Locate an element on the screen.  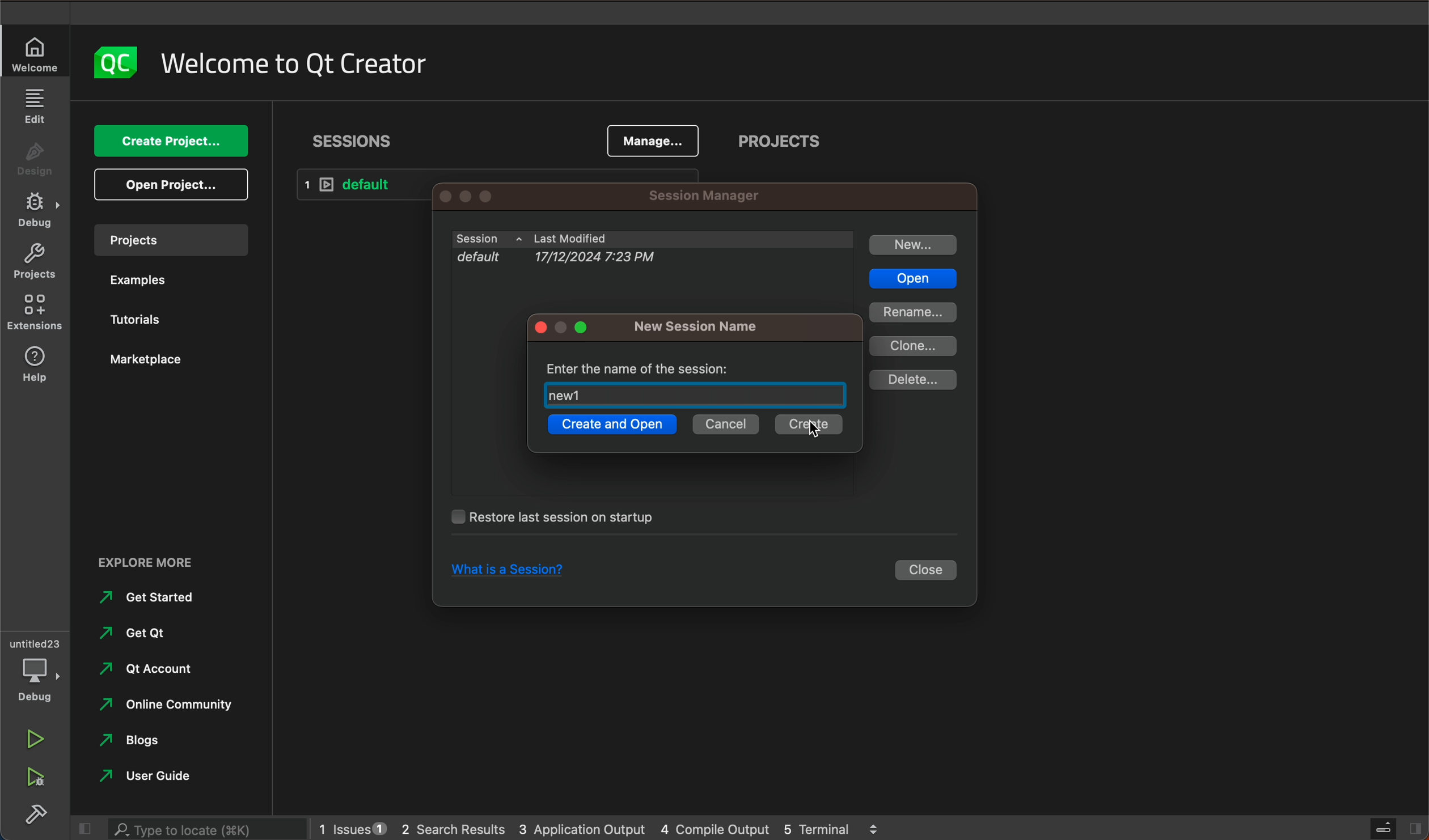
enter the name of the session is located at coordinates (650, 364).